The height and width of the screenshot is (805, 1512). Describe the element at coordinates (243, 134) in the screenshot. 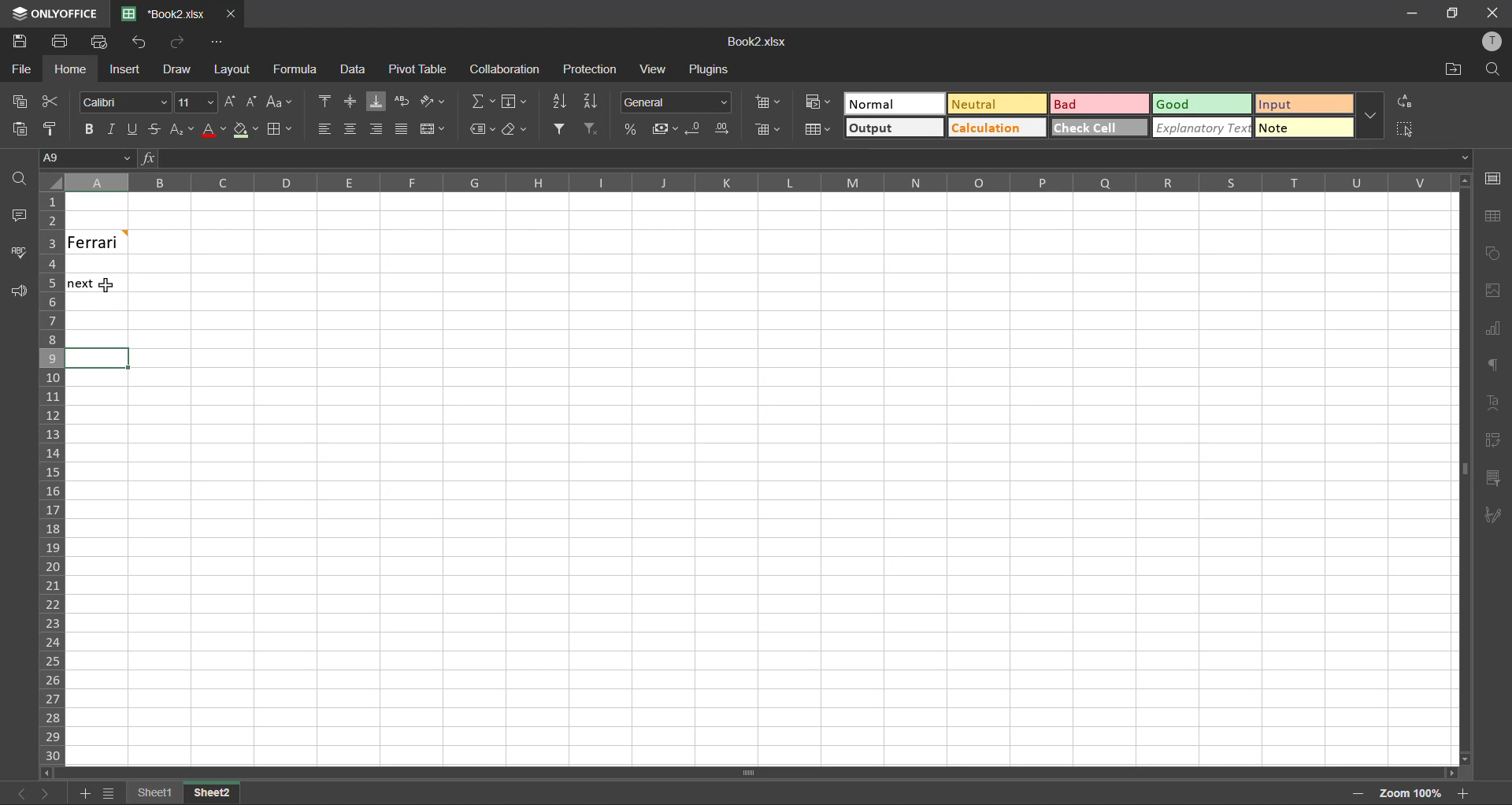

I see `fill color` at that location.